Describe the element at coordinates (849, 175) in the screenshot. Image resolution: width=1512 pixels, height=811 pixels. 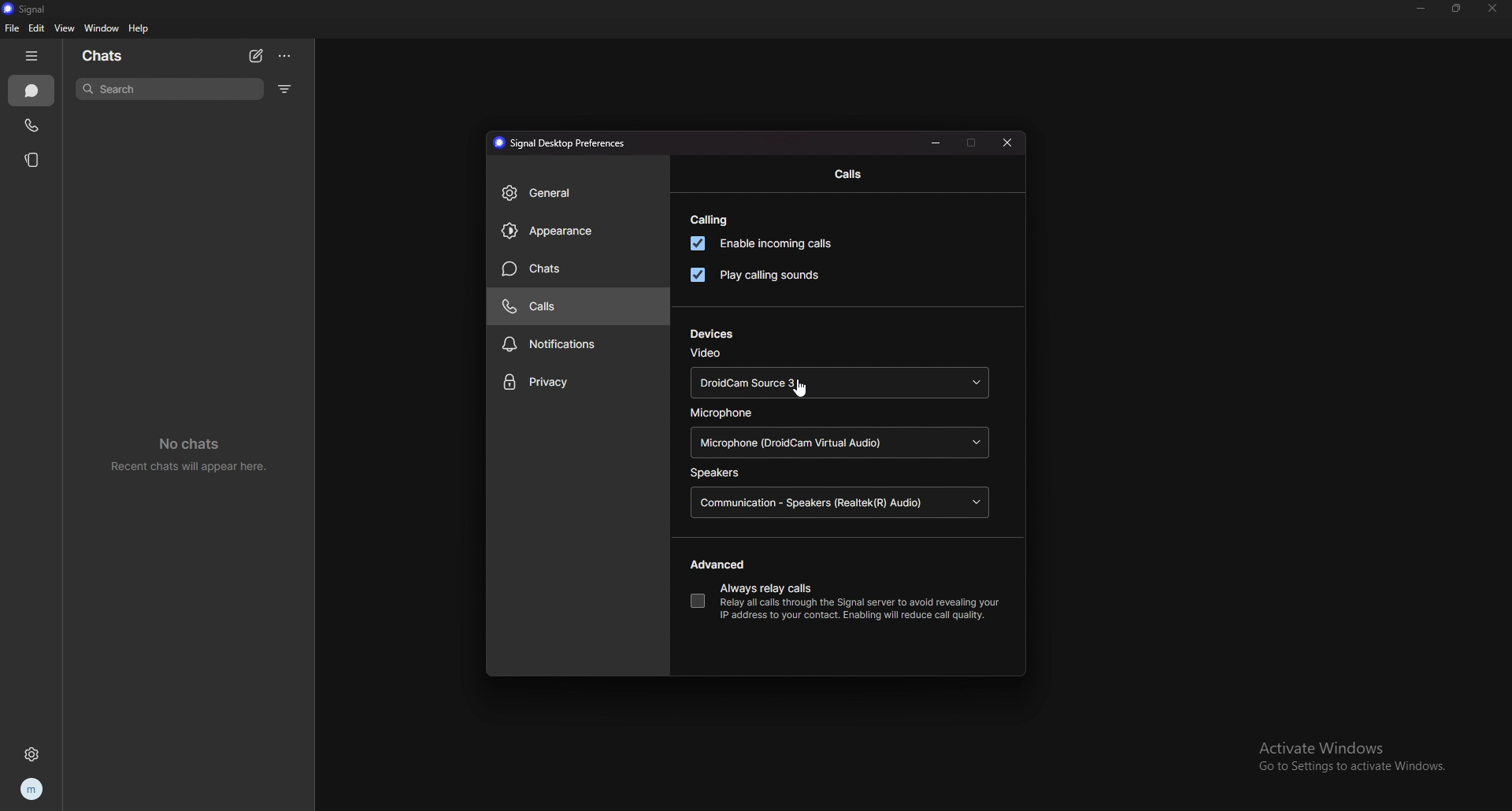
I see `calls` at that location.